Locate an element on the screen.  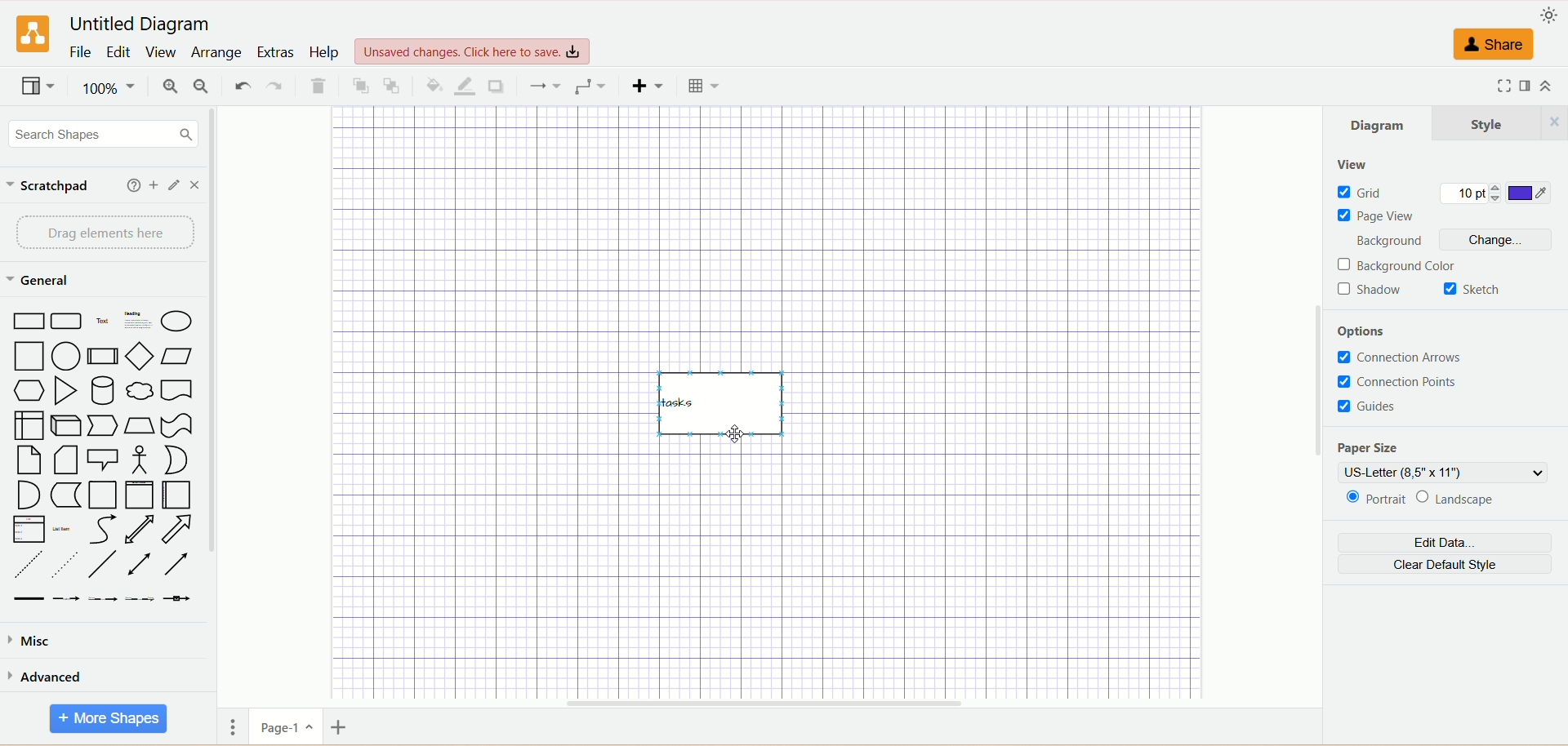
Arrow with Node is located at coordinates (177, 599).